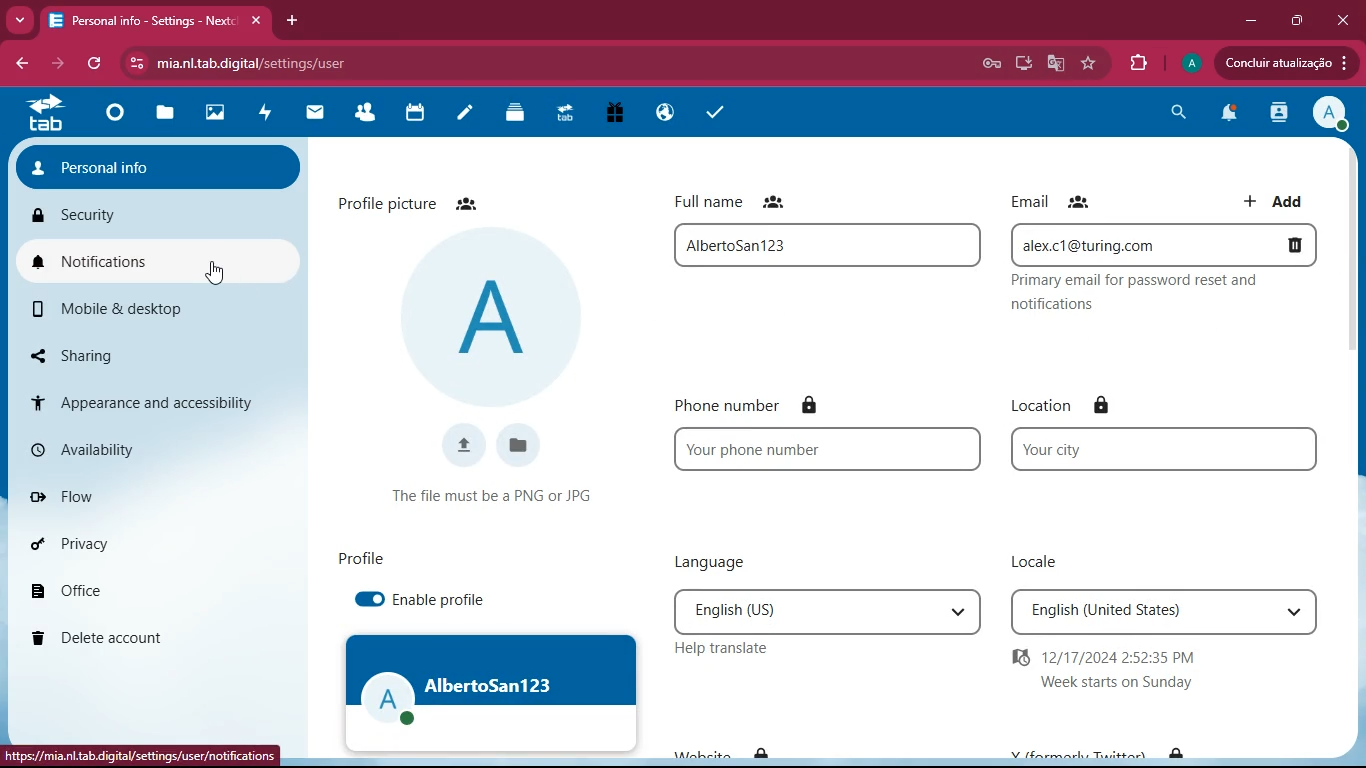 The height and width of the screenshot is (768, 1366). Describe the element at coordinates (398, 64) in the screenshot. I see `url` at that location.